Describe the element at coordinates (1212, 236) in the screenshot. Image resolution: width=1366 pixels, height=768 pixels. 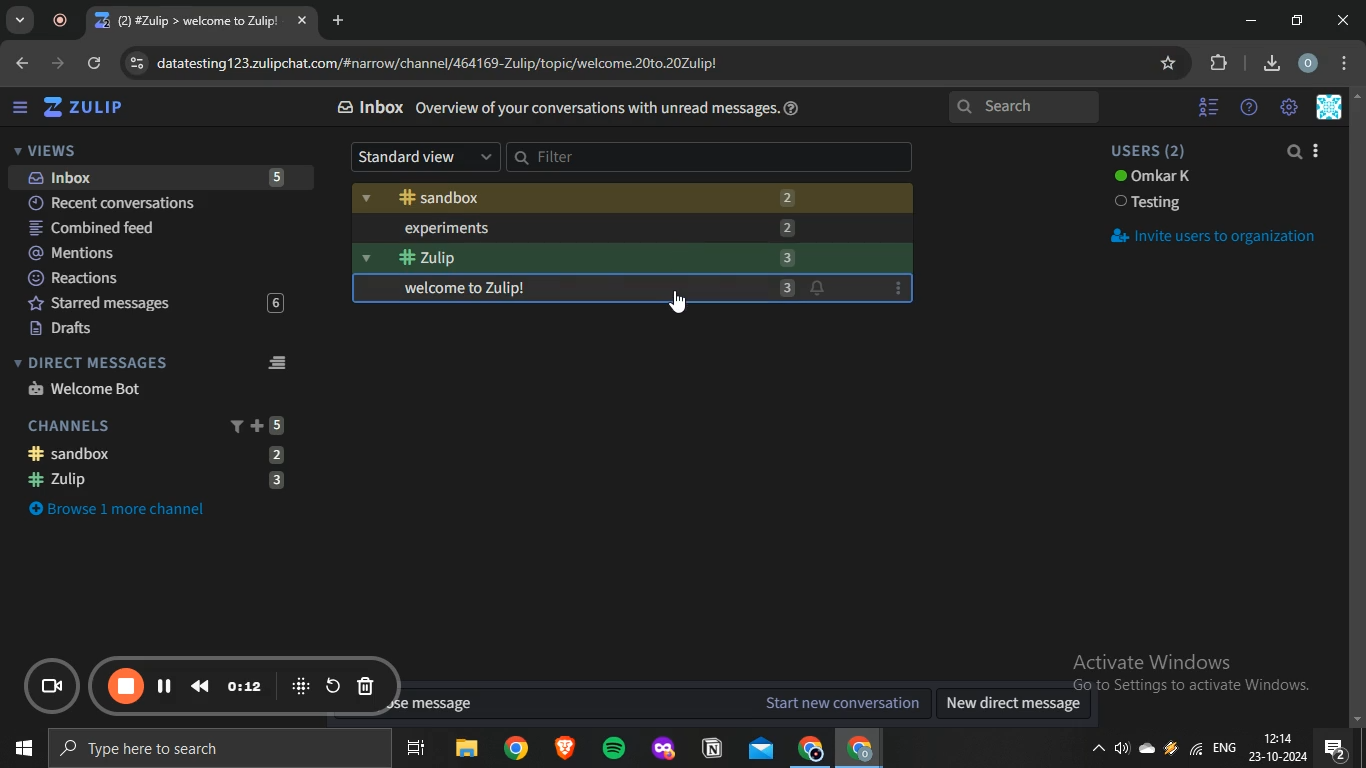
I see `invite users to organization` at that location.